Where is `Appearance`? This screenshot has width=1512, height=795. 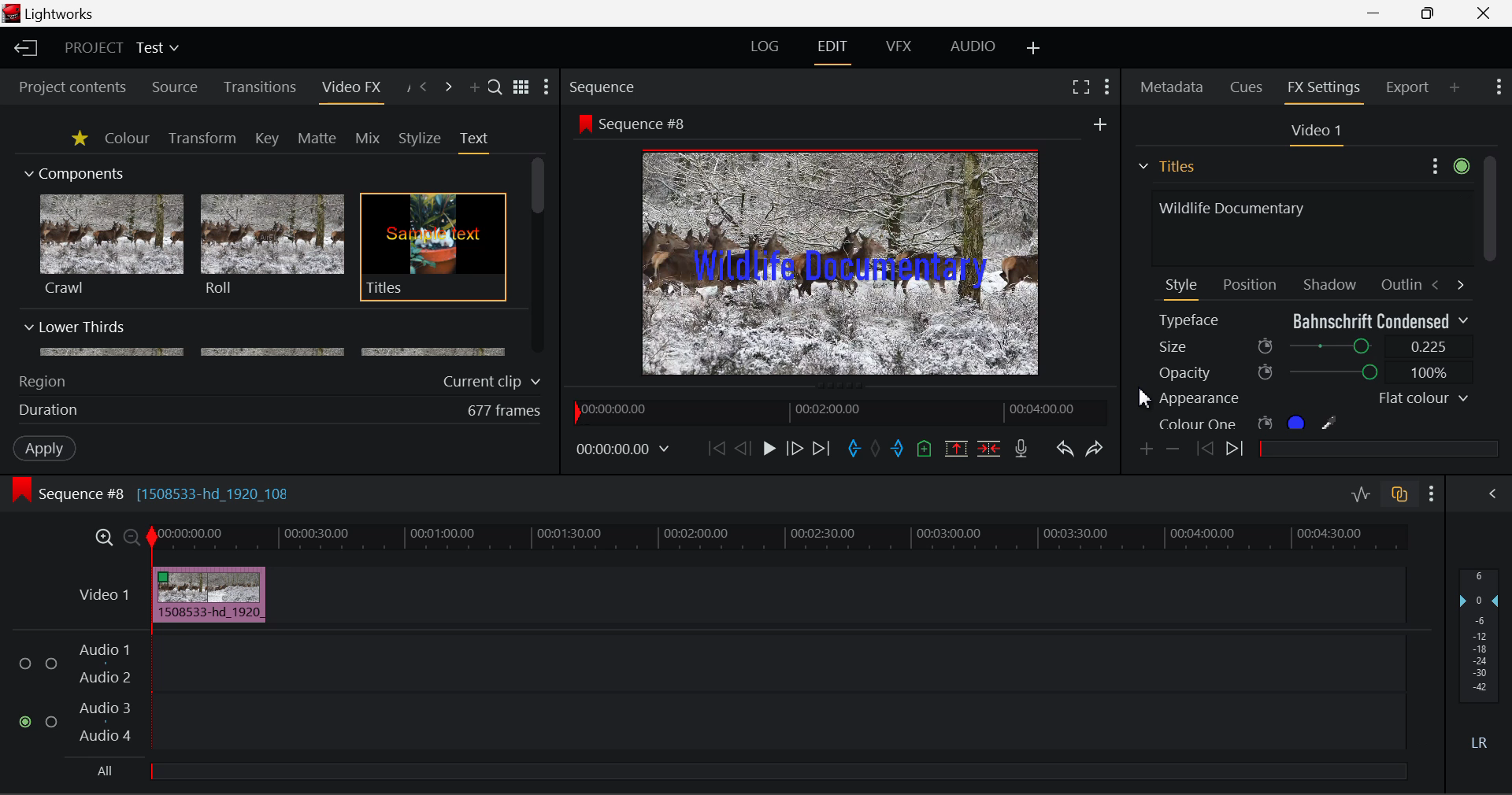
Appearance is located at coordinates (1312, 398).